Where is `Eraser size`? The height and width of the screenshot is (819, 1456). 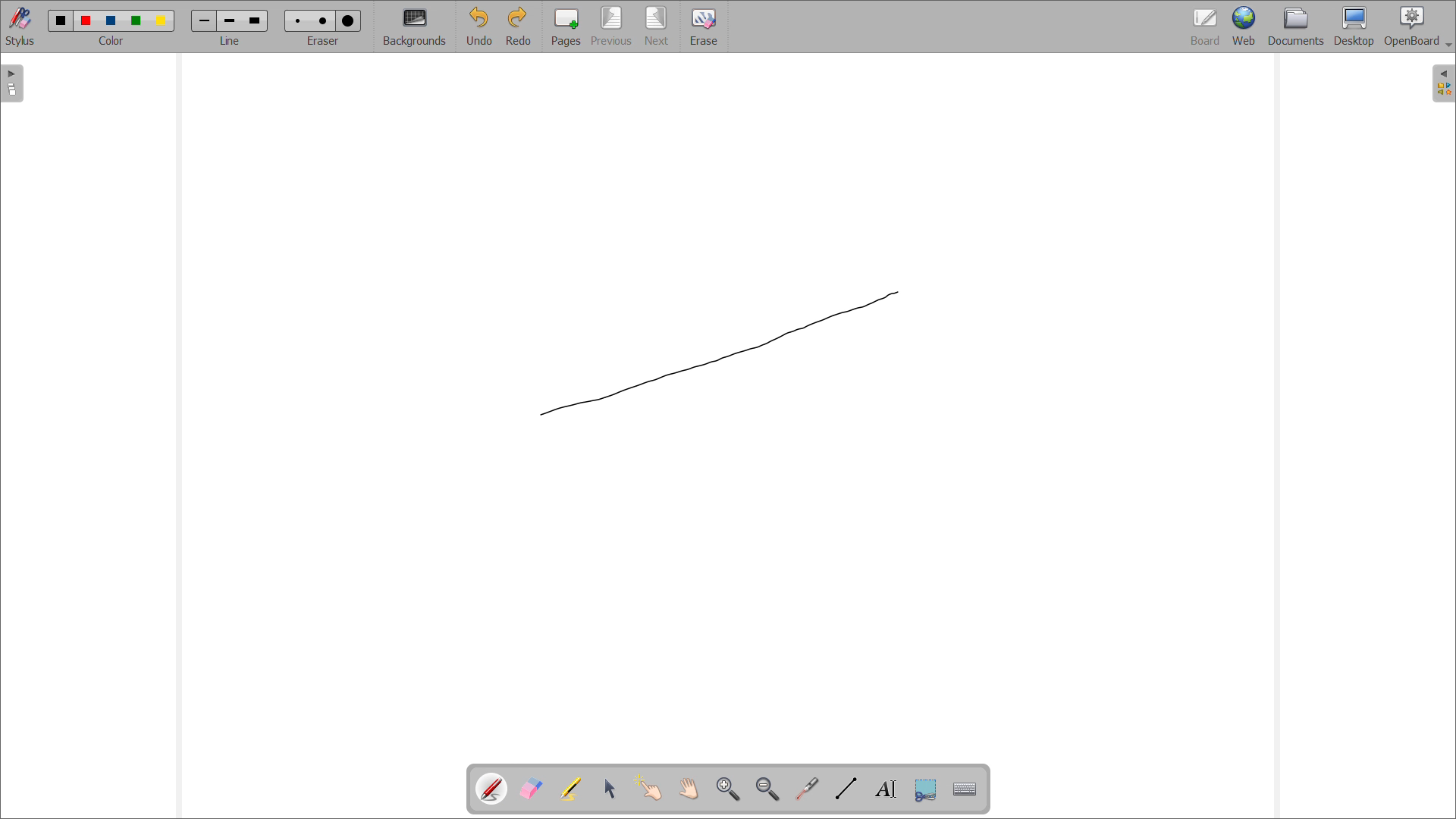 Eraser size is located at coordinates (299, 20).